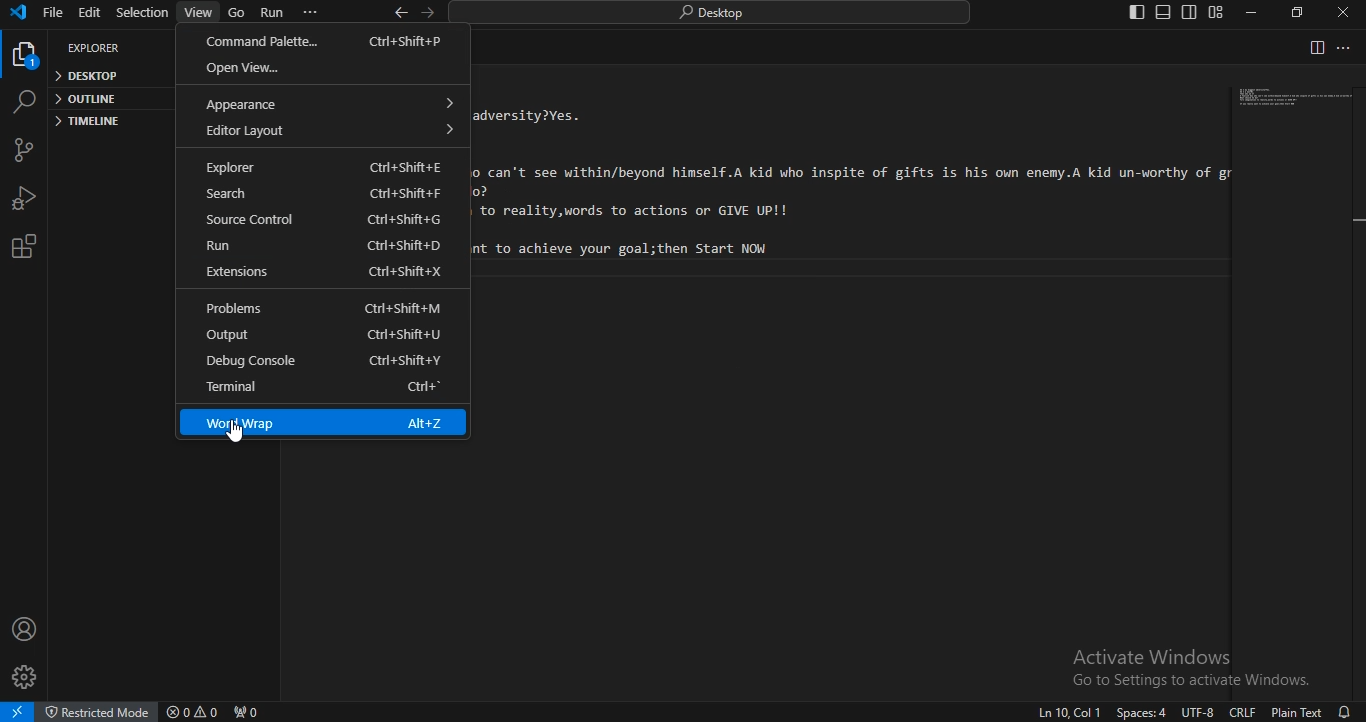 The width and height of the screenshot is (1366, 722). Describe the element at coordinates (318, 309) in the screenshot. I see `problems` at that location.